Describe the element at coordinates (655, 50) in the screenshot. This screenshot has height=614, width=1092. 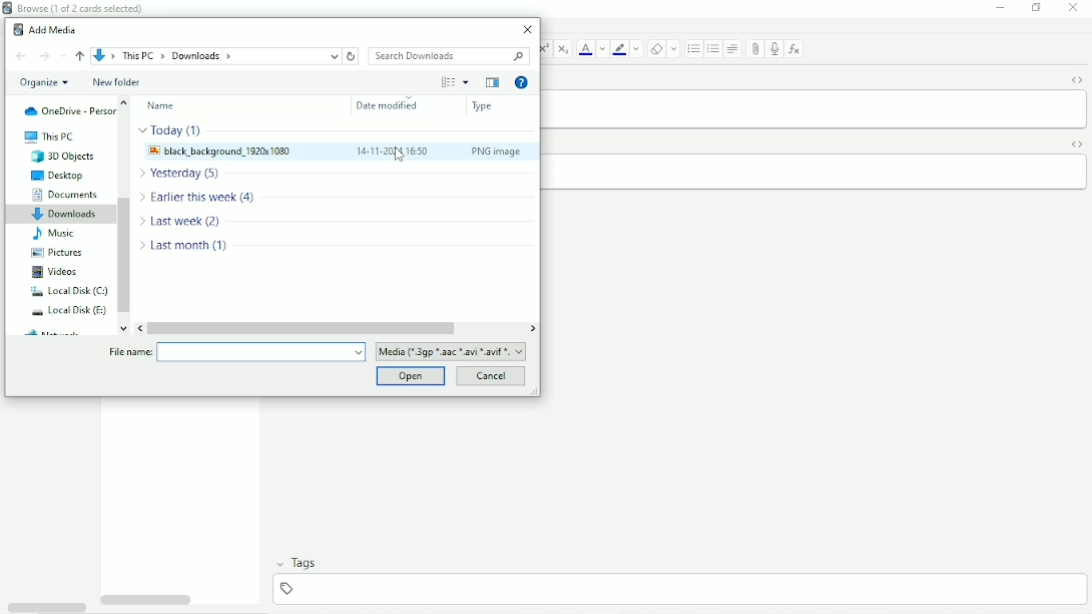
I see `Remove formatting` at that location.